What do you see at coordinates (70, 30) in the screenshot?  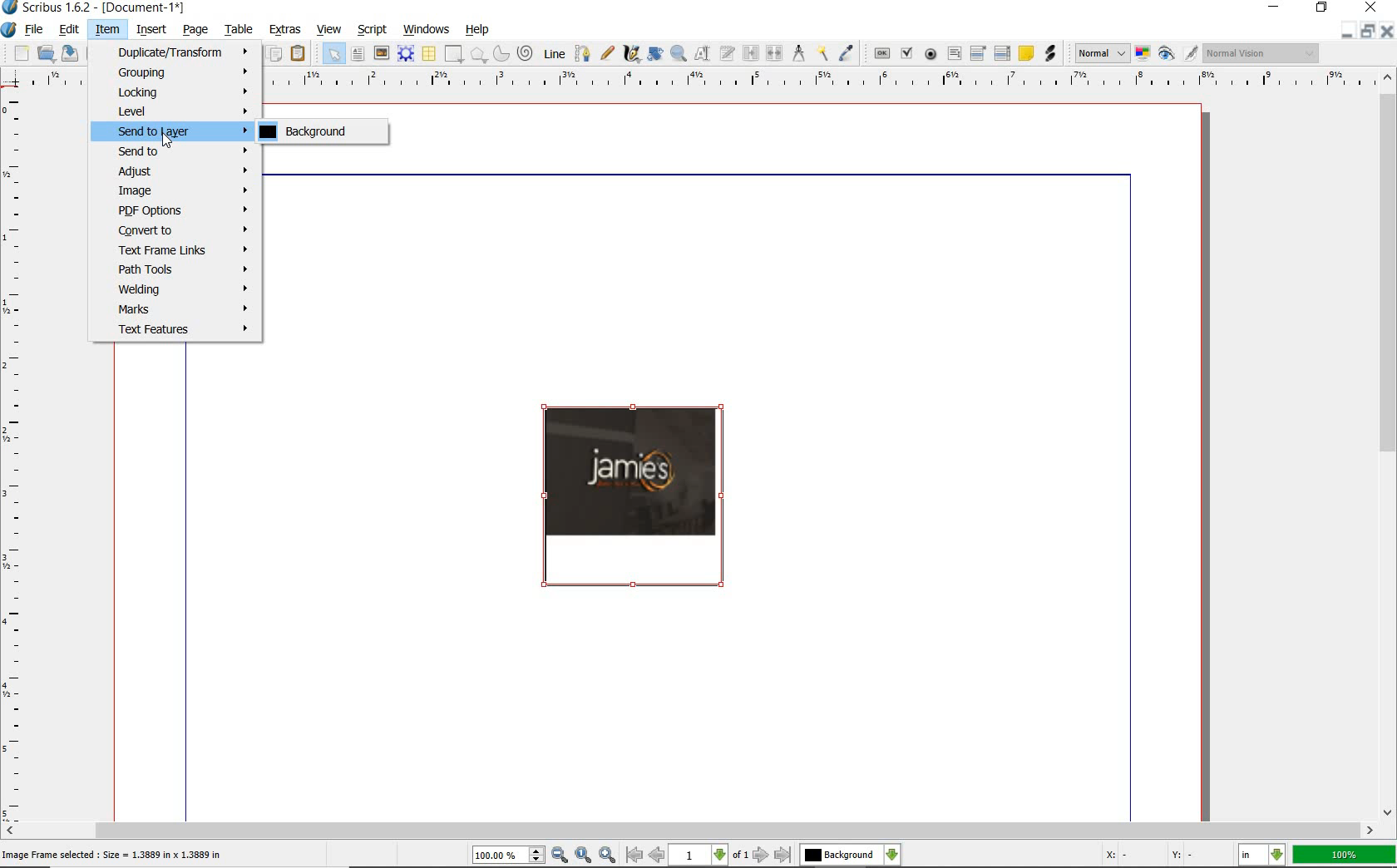 I see `edit` at bounding box center [70, 30].